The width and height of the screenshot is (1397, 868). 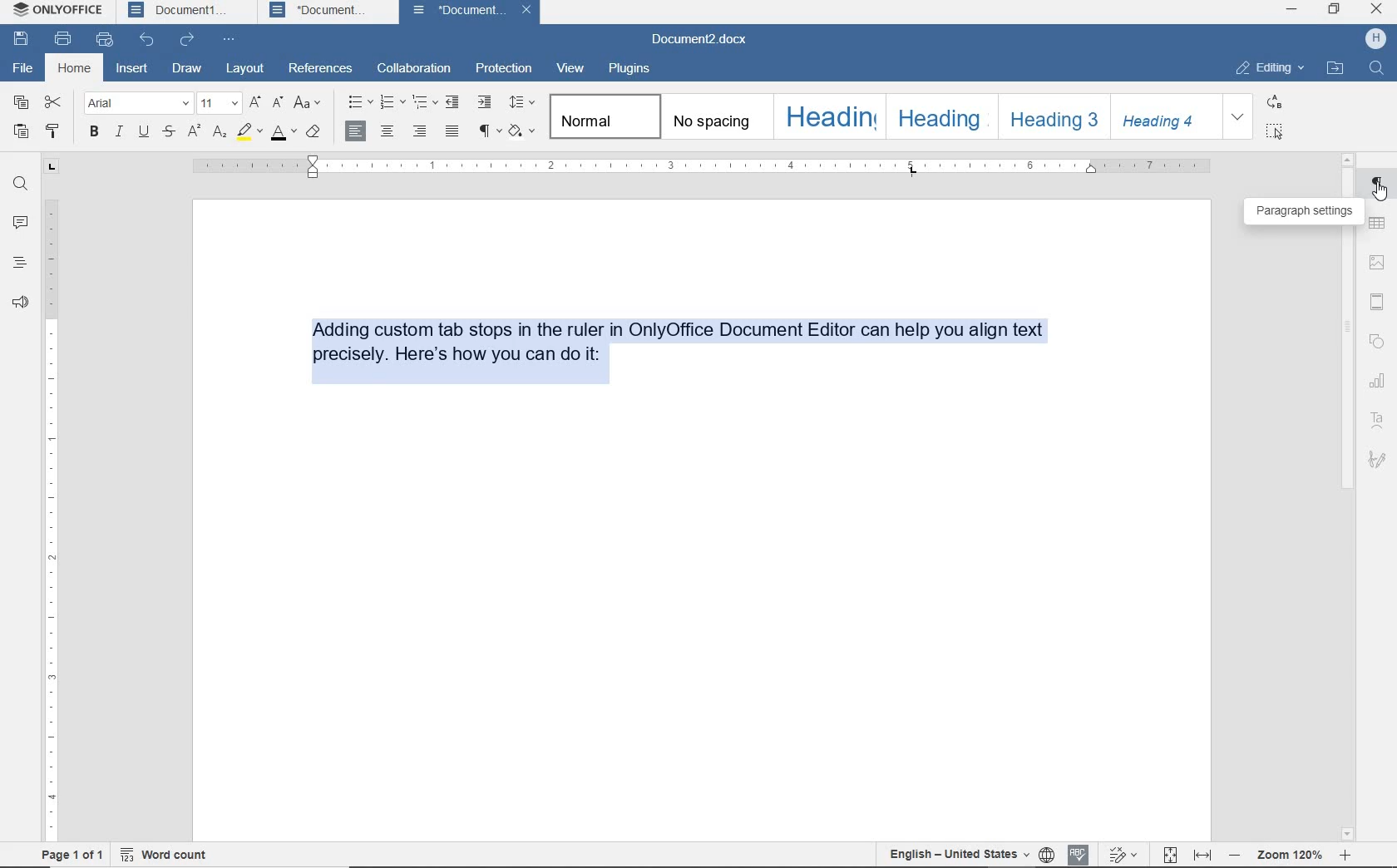 I want to click on view, so click(x=568, y=68).